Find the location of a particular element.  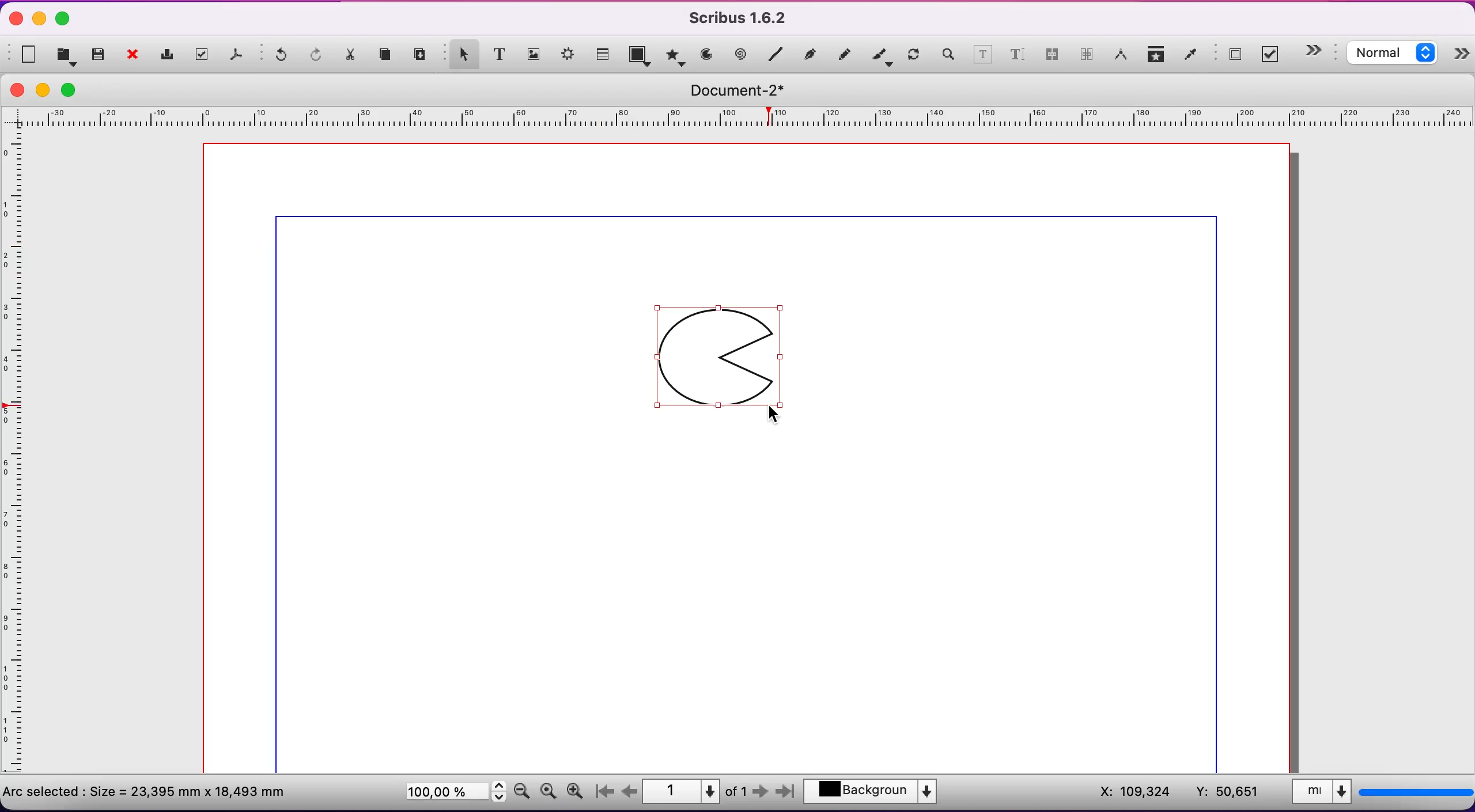

eye dropper is located at coordinates (1191, 56).